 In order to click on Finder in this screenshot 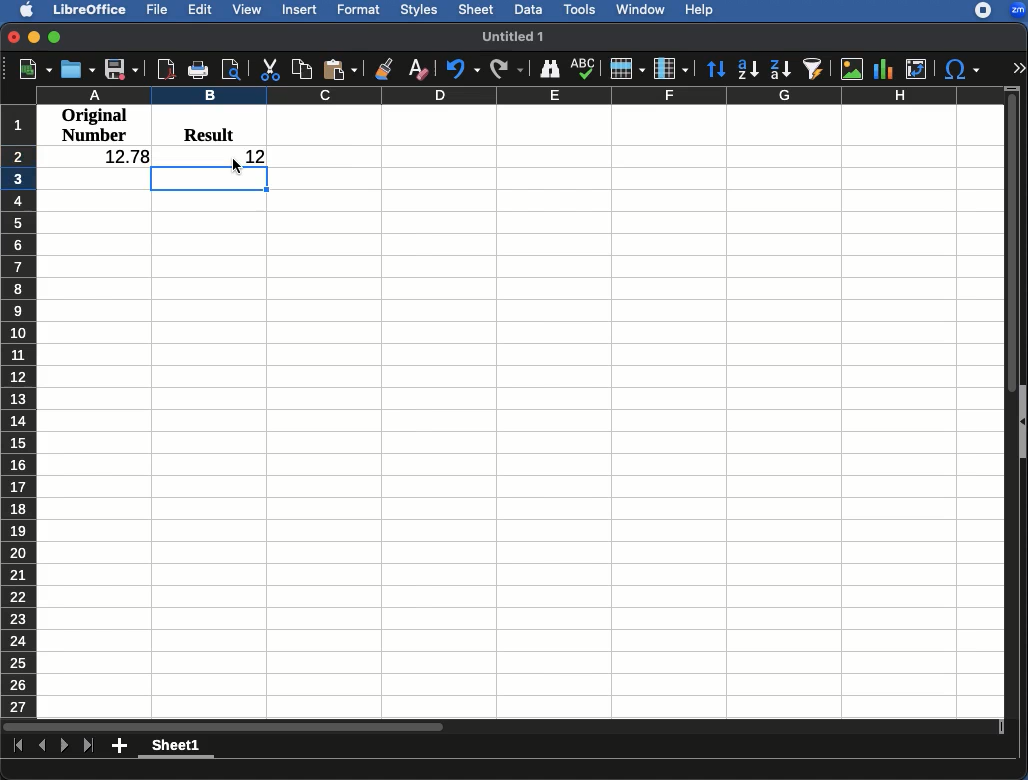, I will do `click(551, 70)`.